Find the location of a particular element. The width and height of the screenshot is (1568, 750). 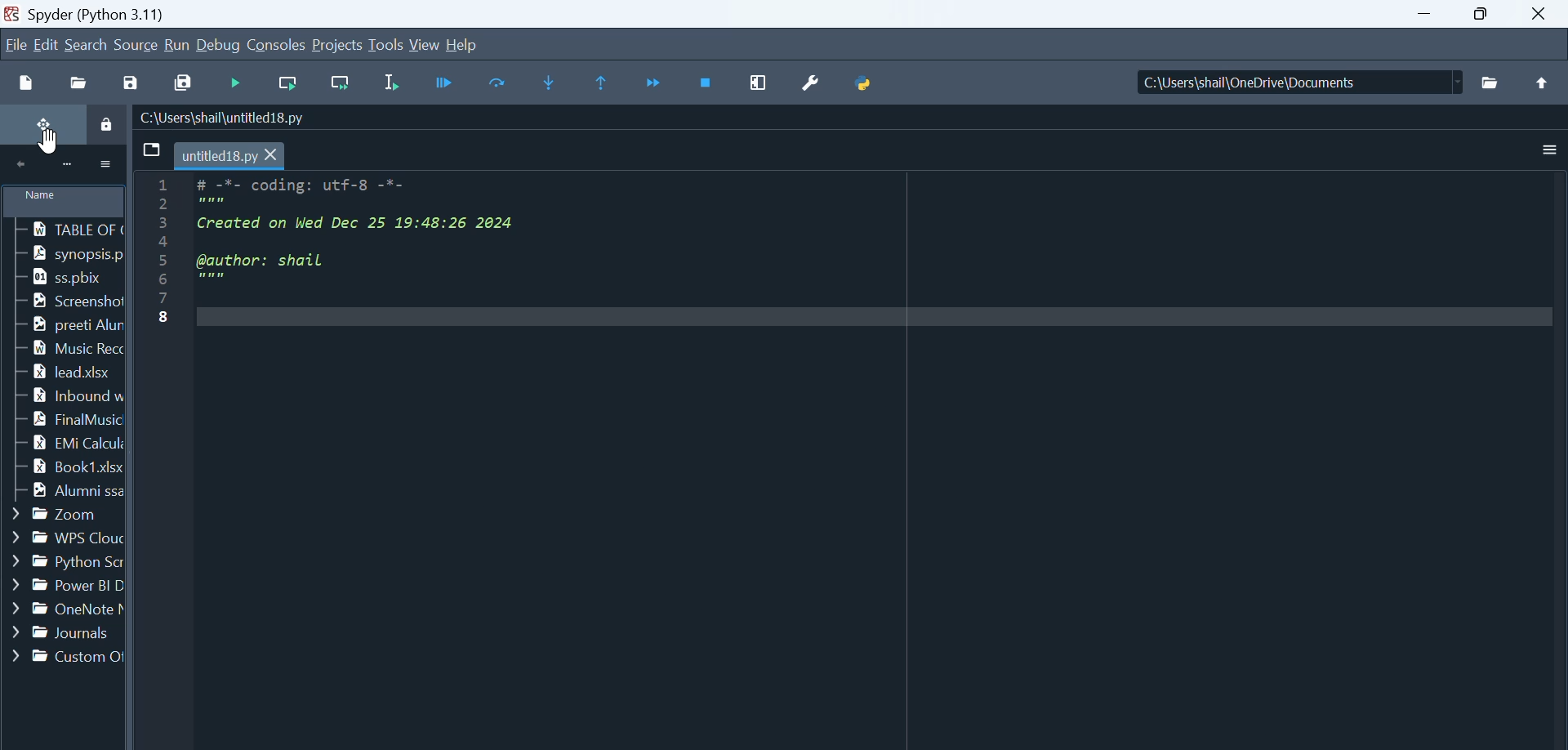

ss.pbix is located at coordinates (51, 279).